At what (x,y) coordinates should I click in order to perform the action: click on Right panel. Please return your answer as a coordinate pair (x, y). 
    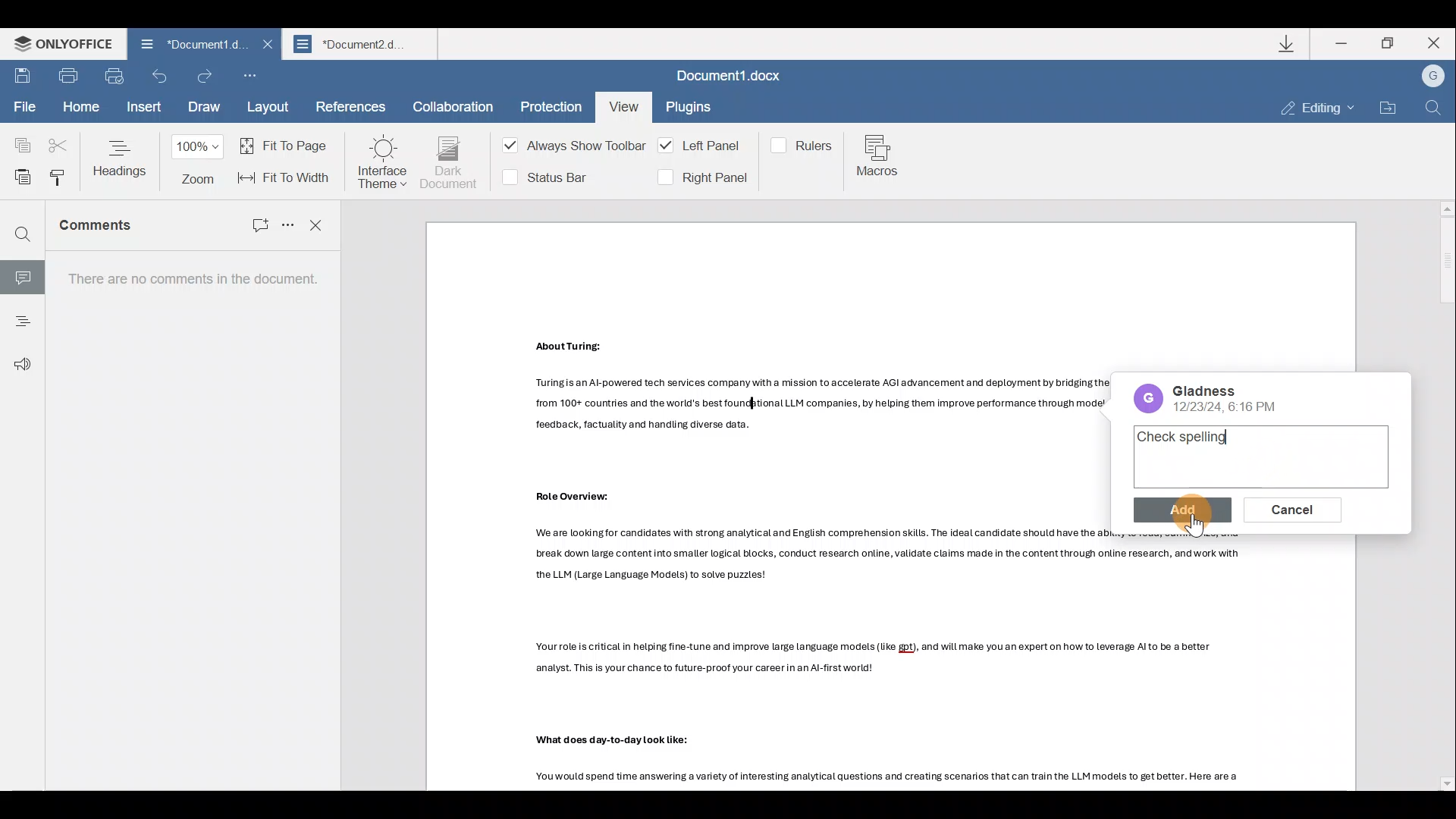
    Looking at the image, I should click on (701, 177).